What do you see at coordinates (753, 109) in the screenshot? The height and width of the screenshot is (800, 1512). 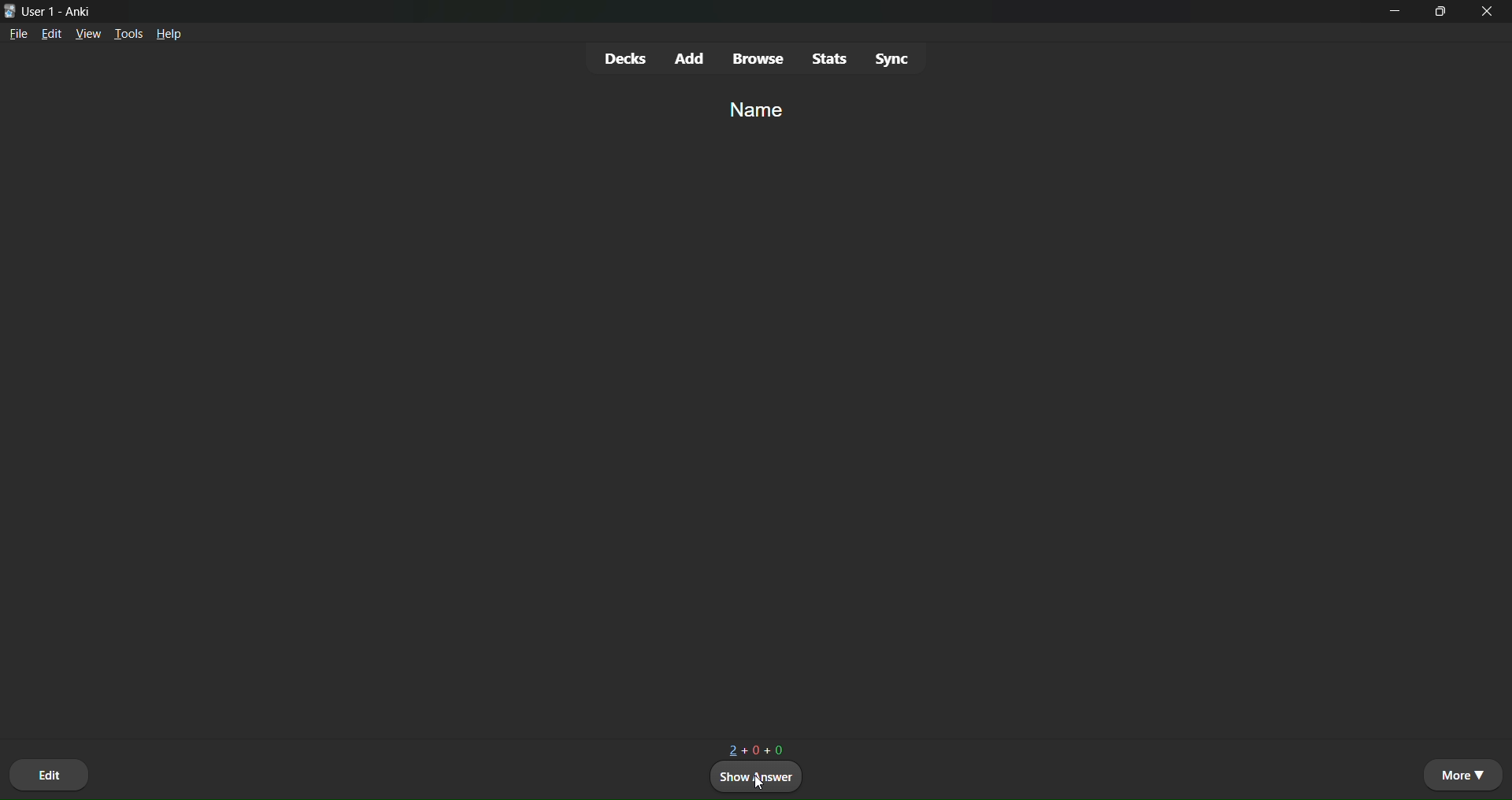 I see `name` at bounding box center [753, 109].